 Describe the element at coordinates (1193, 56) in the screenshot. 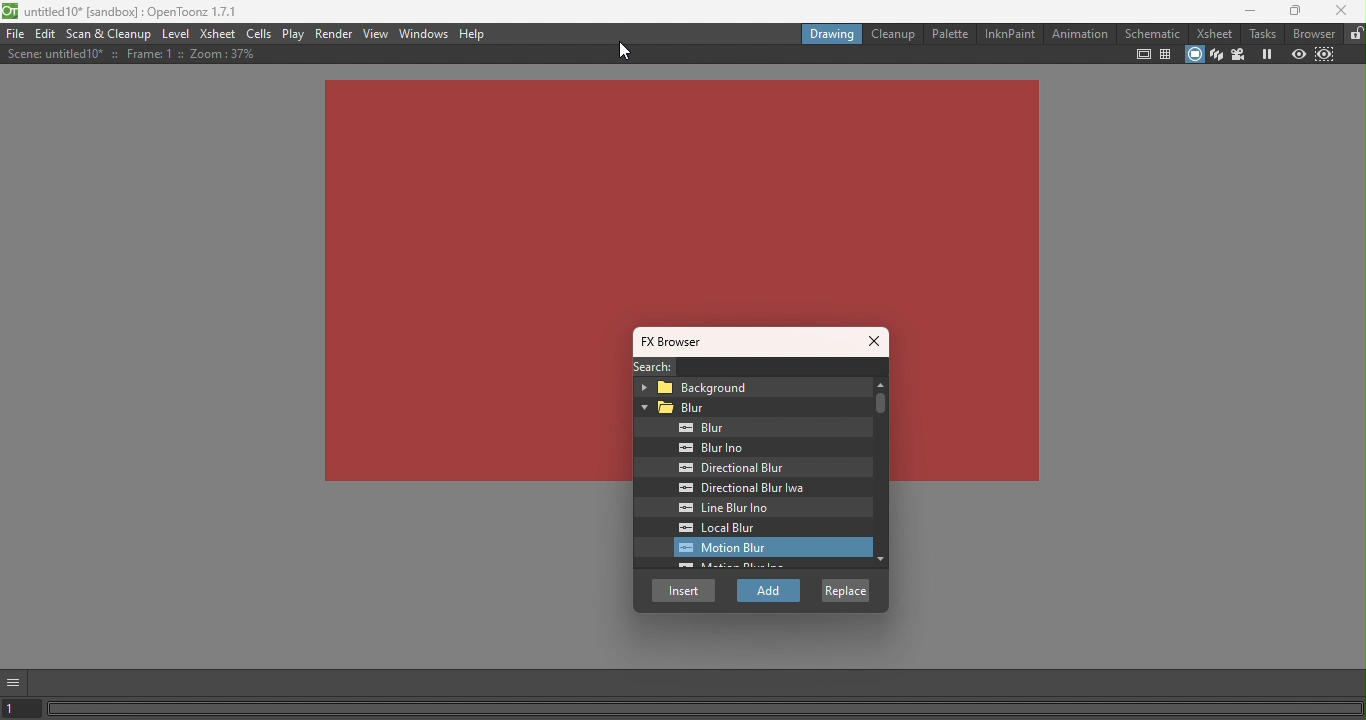

I see `Camera stand view` at that location.